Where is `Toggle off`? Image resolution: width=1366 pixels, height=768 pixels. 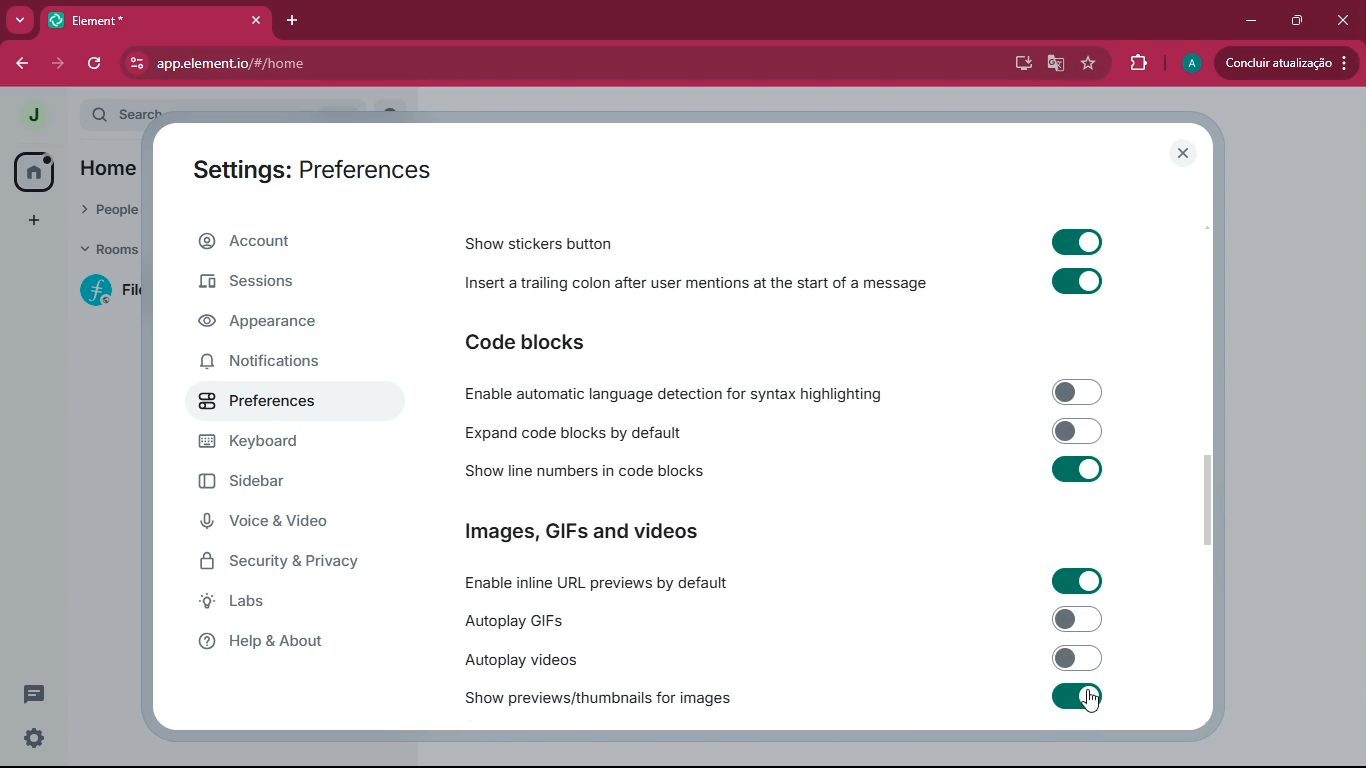 Toggle off is located at coordinates (1077, 657).